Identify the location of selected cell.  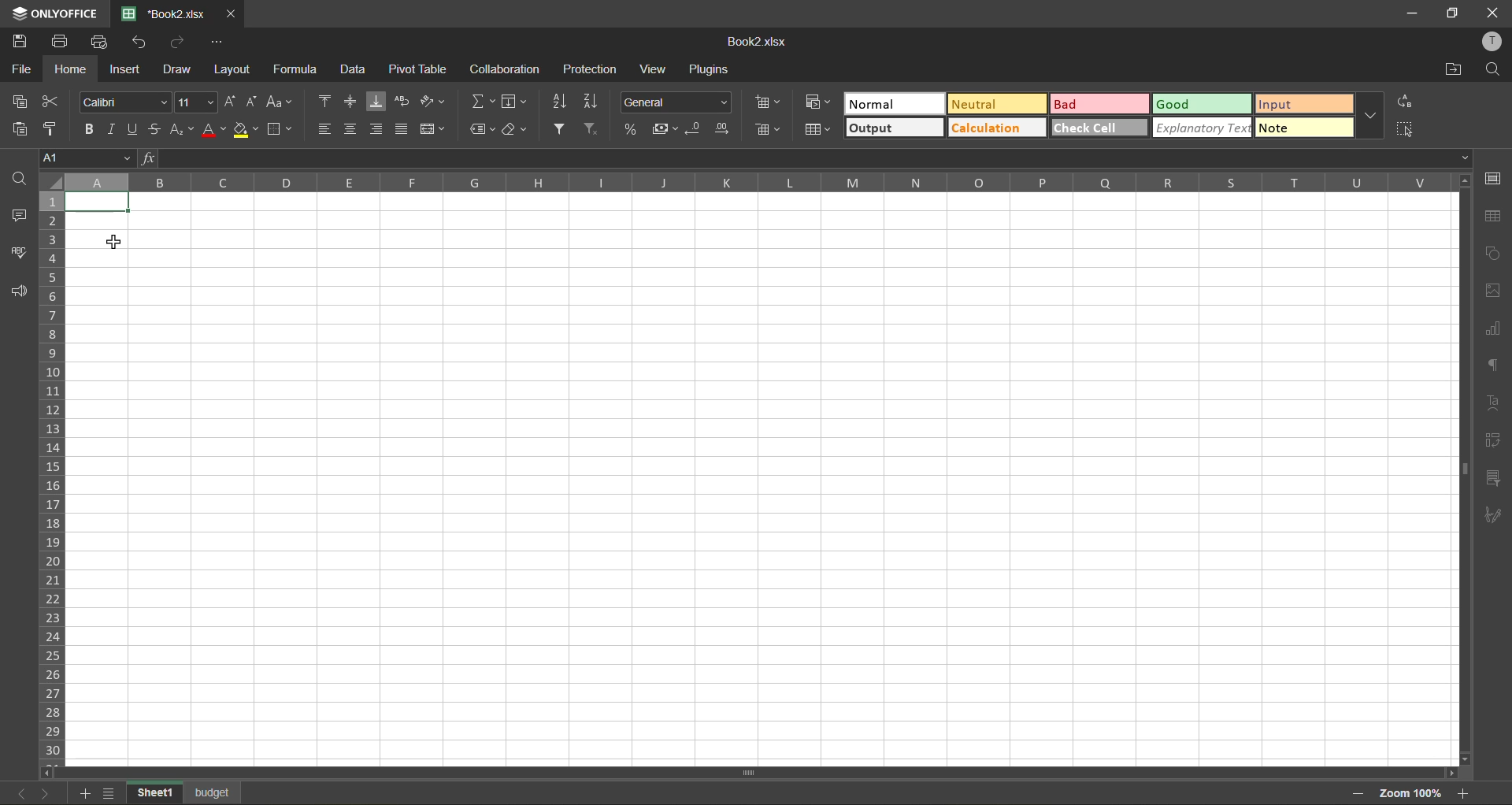
(98, 202).